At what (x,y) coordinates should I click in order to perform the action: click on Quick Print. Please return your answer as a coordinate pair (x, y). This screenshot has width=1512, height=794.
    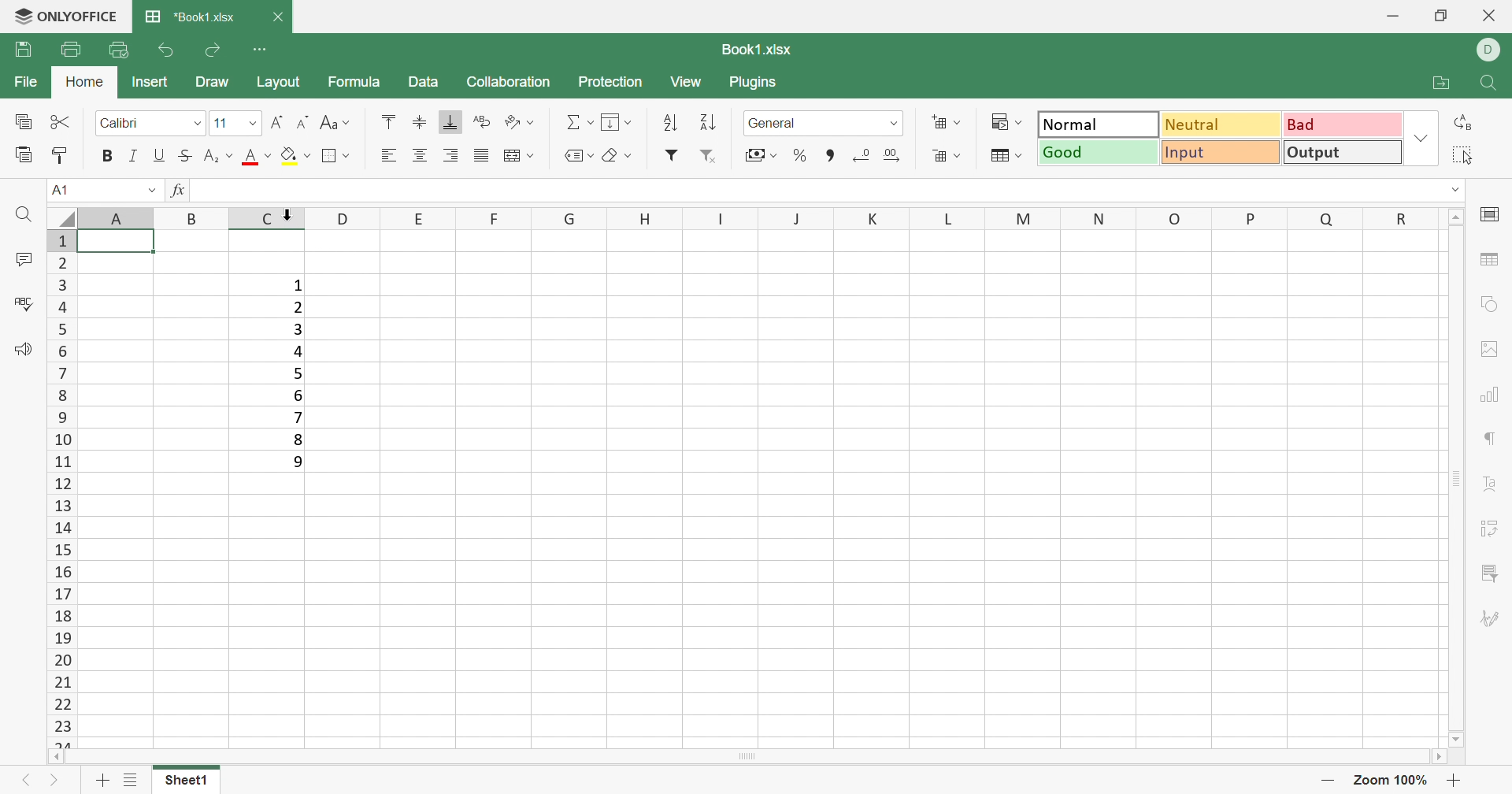
    Looking at the image, I should click on (117, 52).